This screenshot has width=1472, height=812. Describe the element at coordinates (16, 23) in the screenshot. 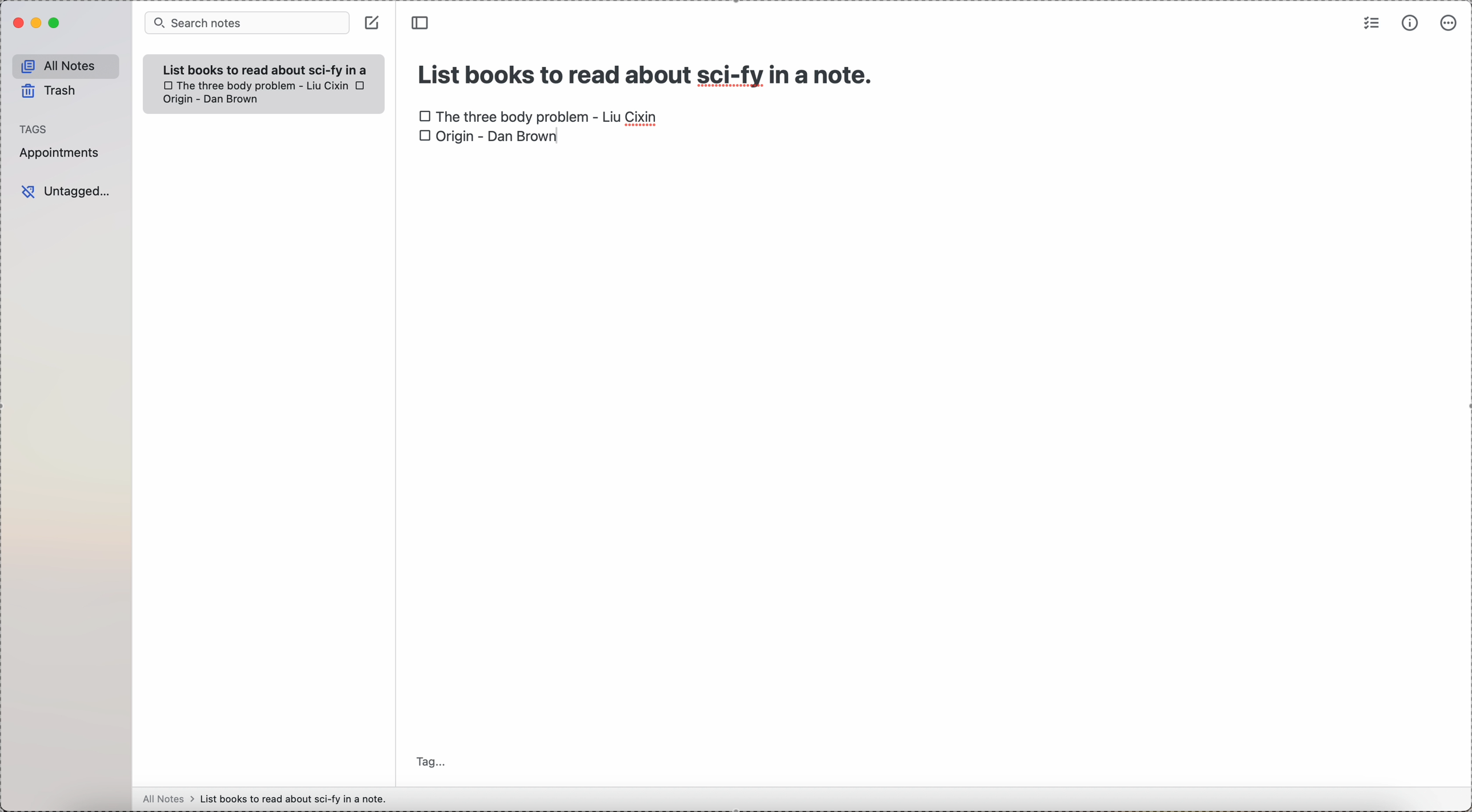

I see `close Simplenote` at that location.